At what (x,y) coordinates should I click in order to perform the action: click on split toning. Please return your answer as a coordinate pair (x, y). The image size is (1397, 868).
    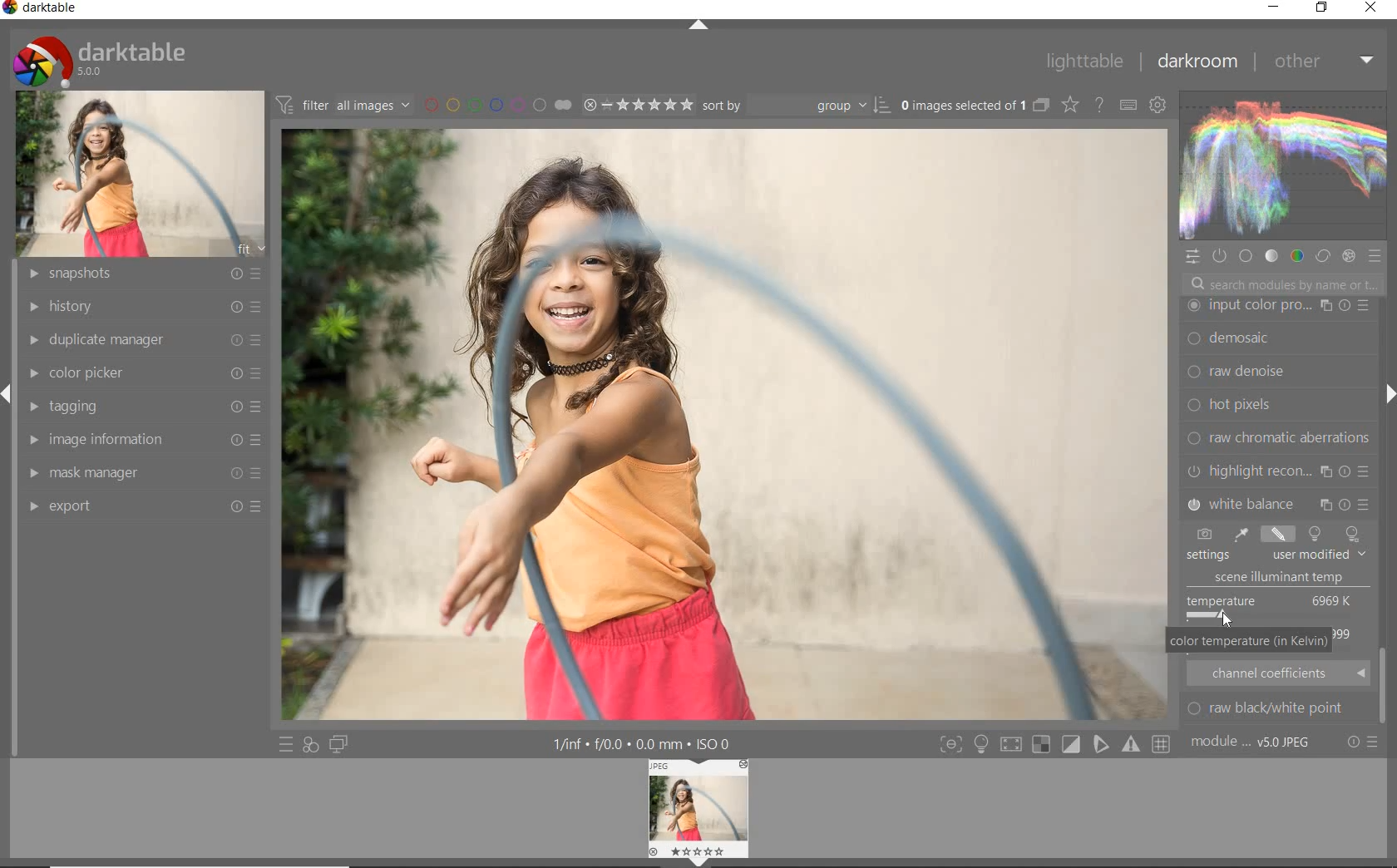
    Looking at the image, I should click on (1279, 502).